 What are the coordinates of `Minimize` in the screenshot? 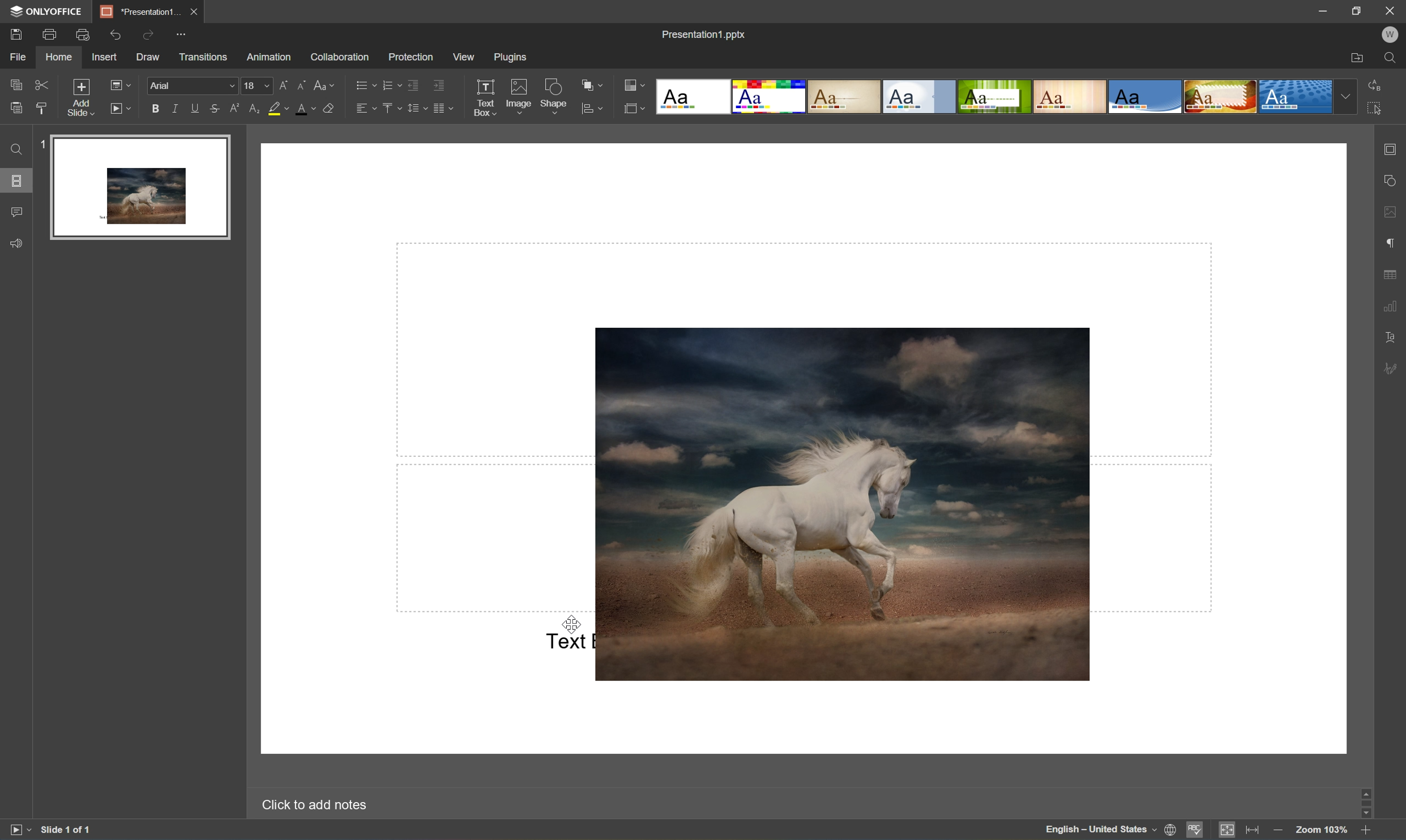 It's located at (1315, 10).